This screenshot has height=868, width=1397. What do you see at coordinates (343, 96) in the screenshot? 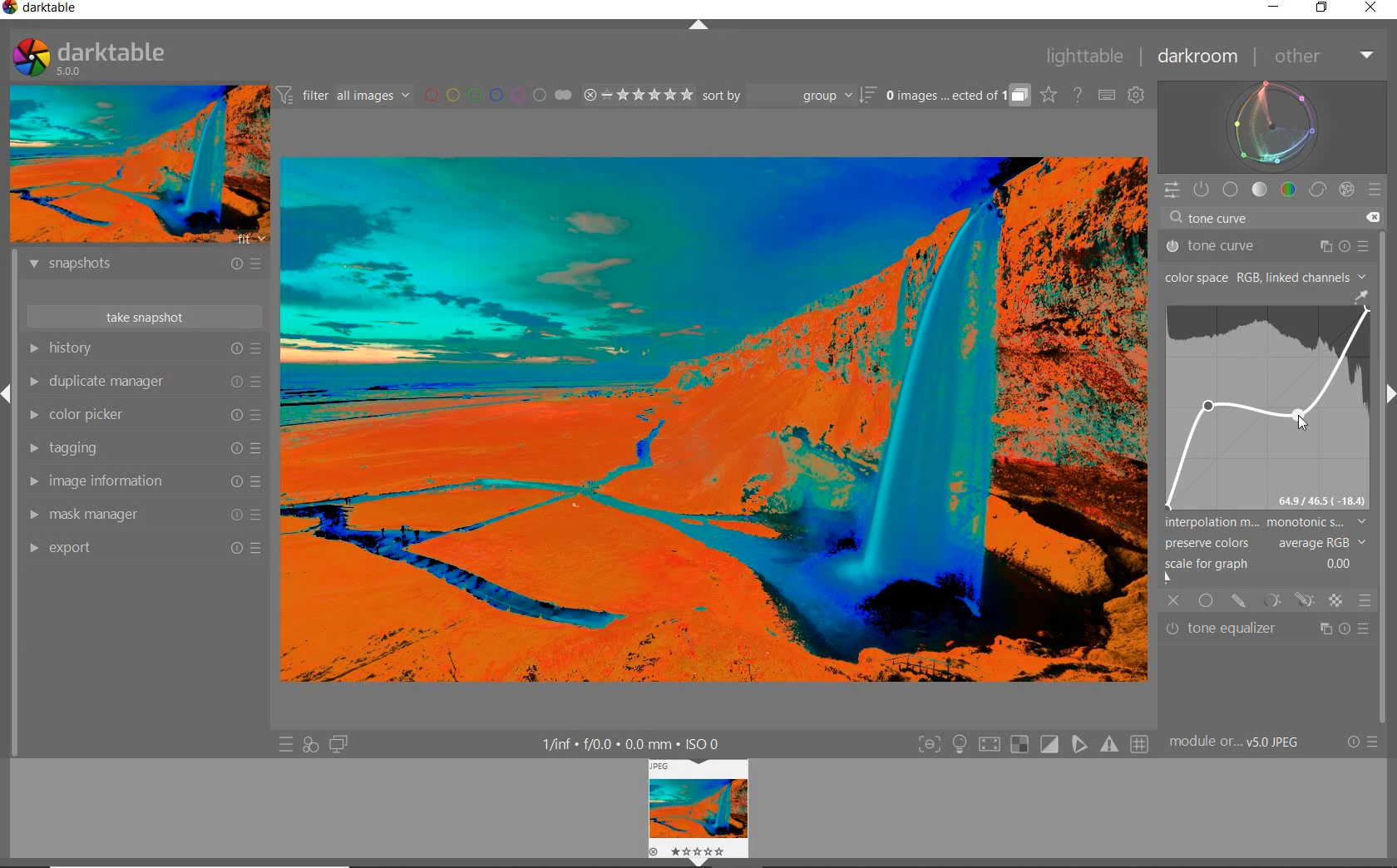
I see `FILTER IMAGES BASED ON THEIR MODULE ORDER` at bounding box center [343, 96].